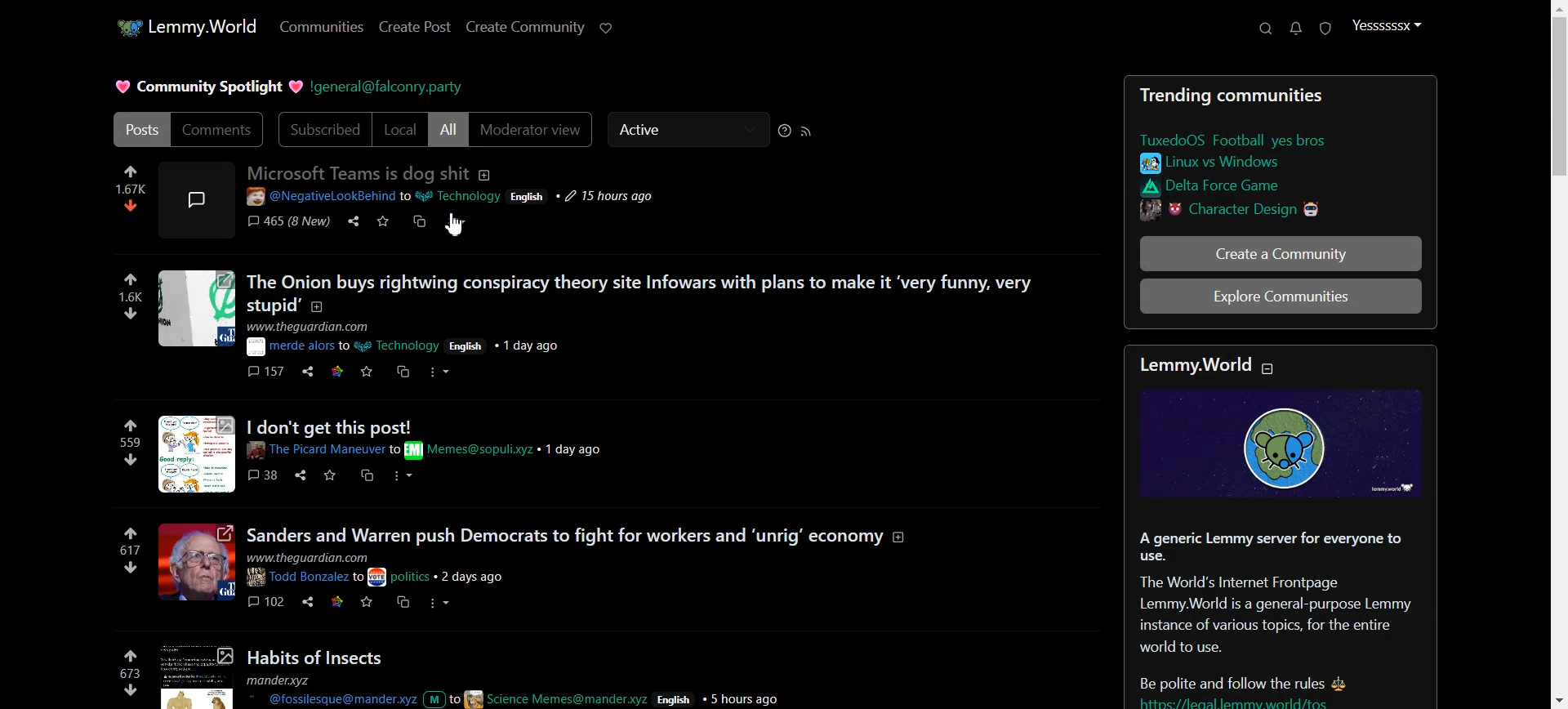 The image size is (1568, 709). What do you see at coordinates (1264, 29) in the screenshot?
I see `Support` at bounding box center [1264, 29].